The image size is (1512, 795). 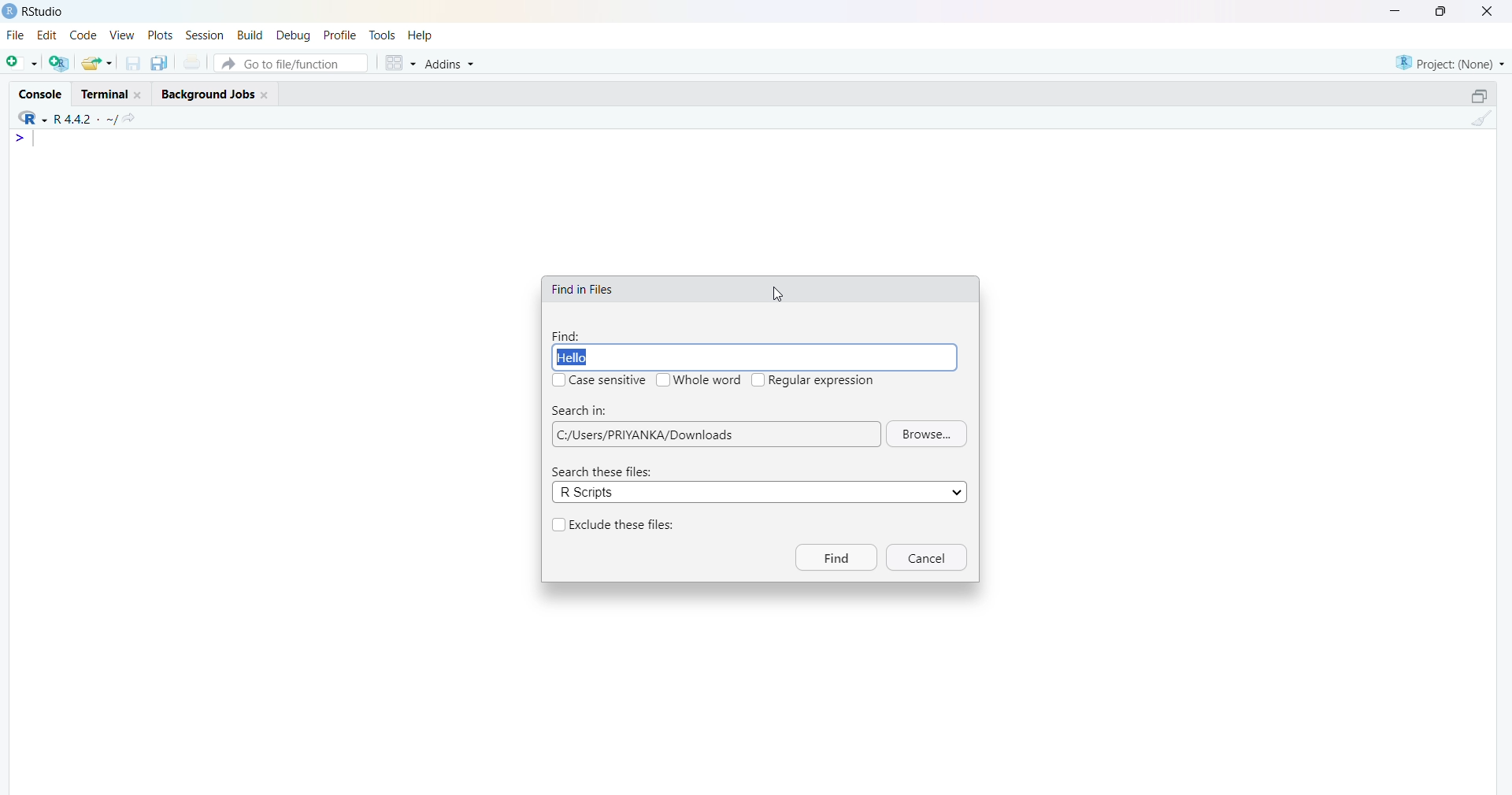 I want to click on Browse, so click(x=926, y=433).